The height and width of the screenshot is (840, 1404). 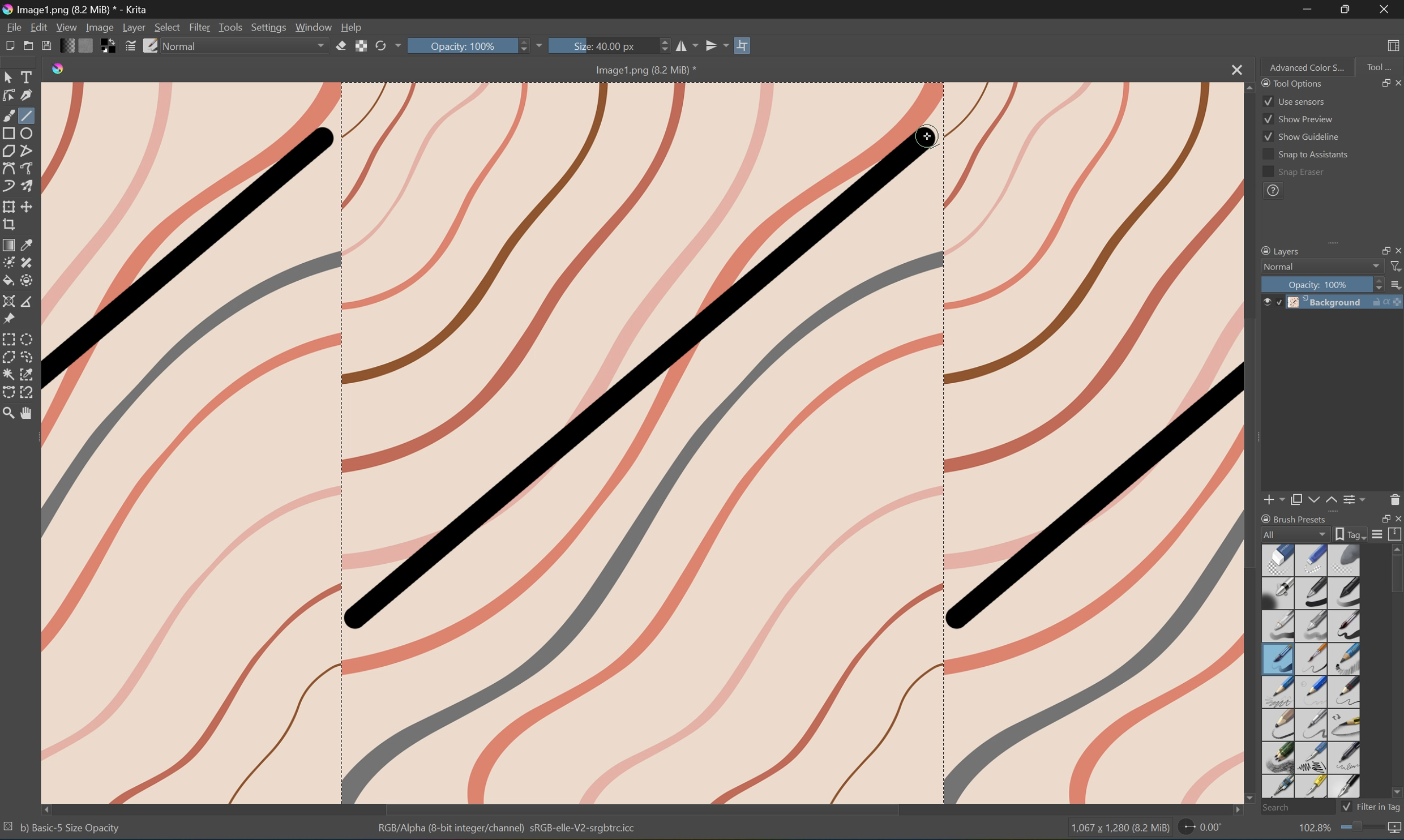 I want to click on Opacity: 100%, so click(x=1319, y=284).